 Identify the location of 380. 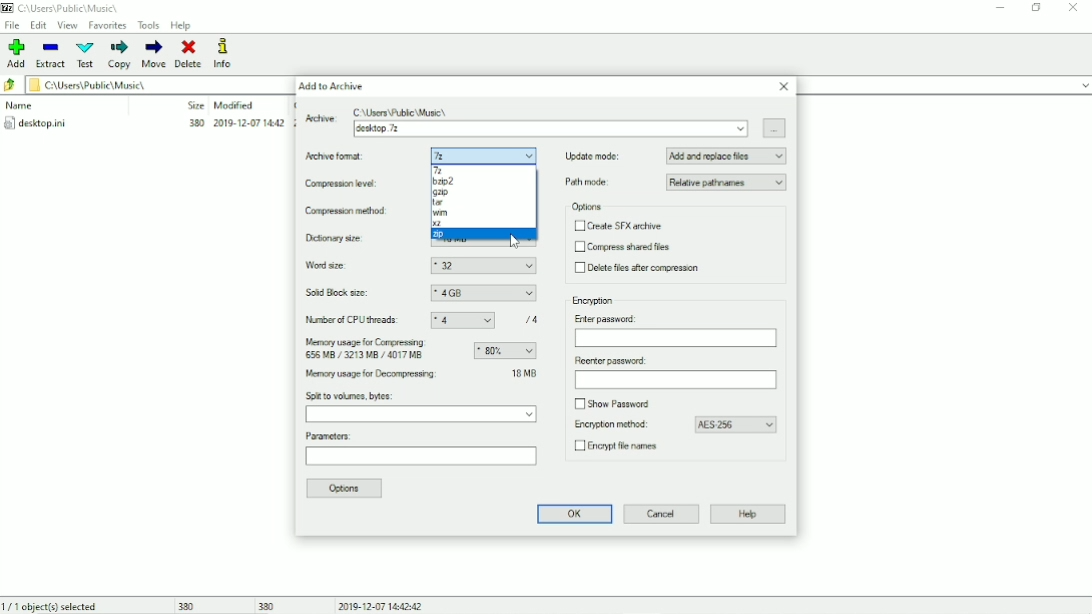
(187, 604).